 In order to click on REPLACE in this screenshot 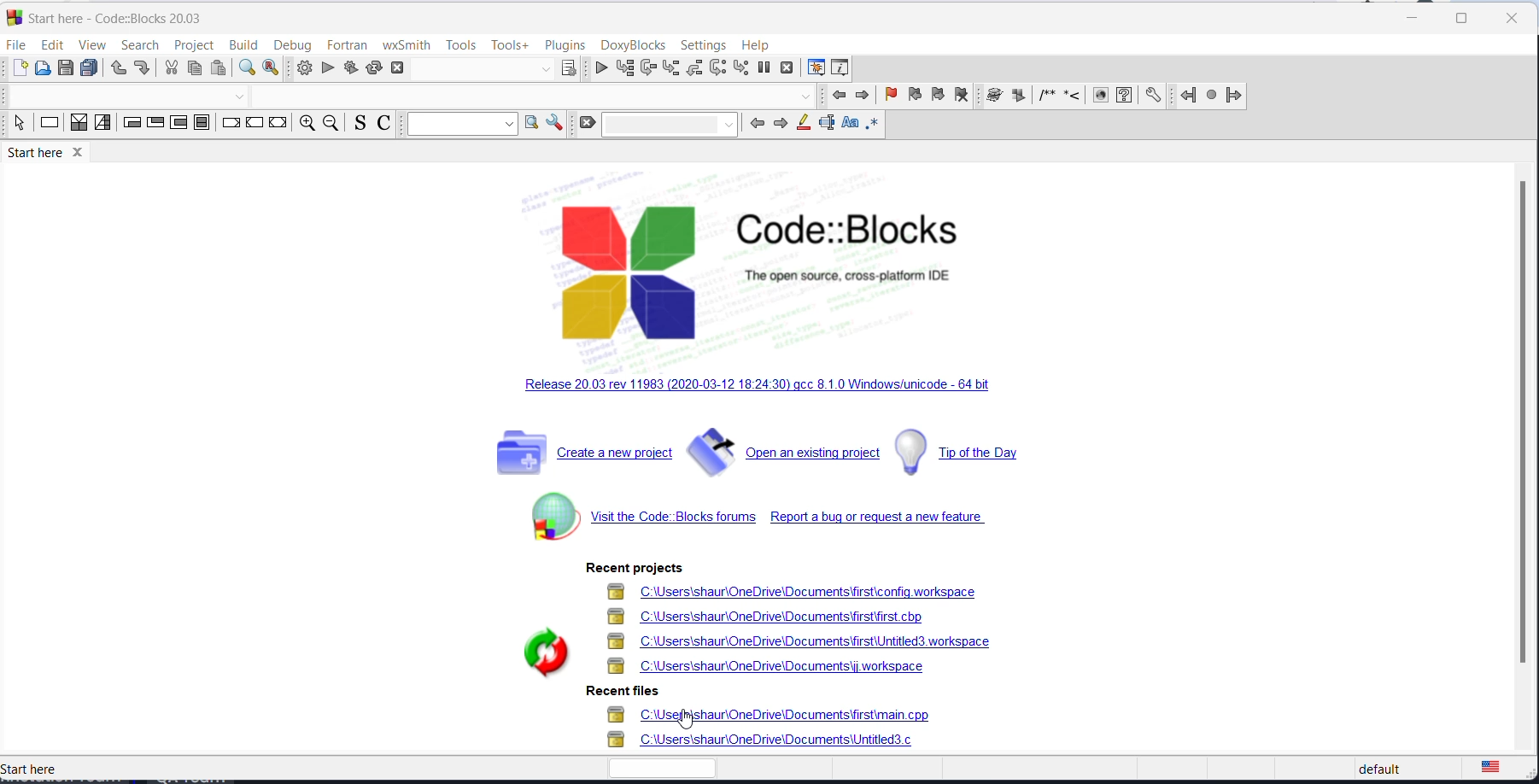, I will do `click(272, 69)`.